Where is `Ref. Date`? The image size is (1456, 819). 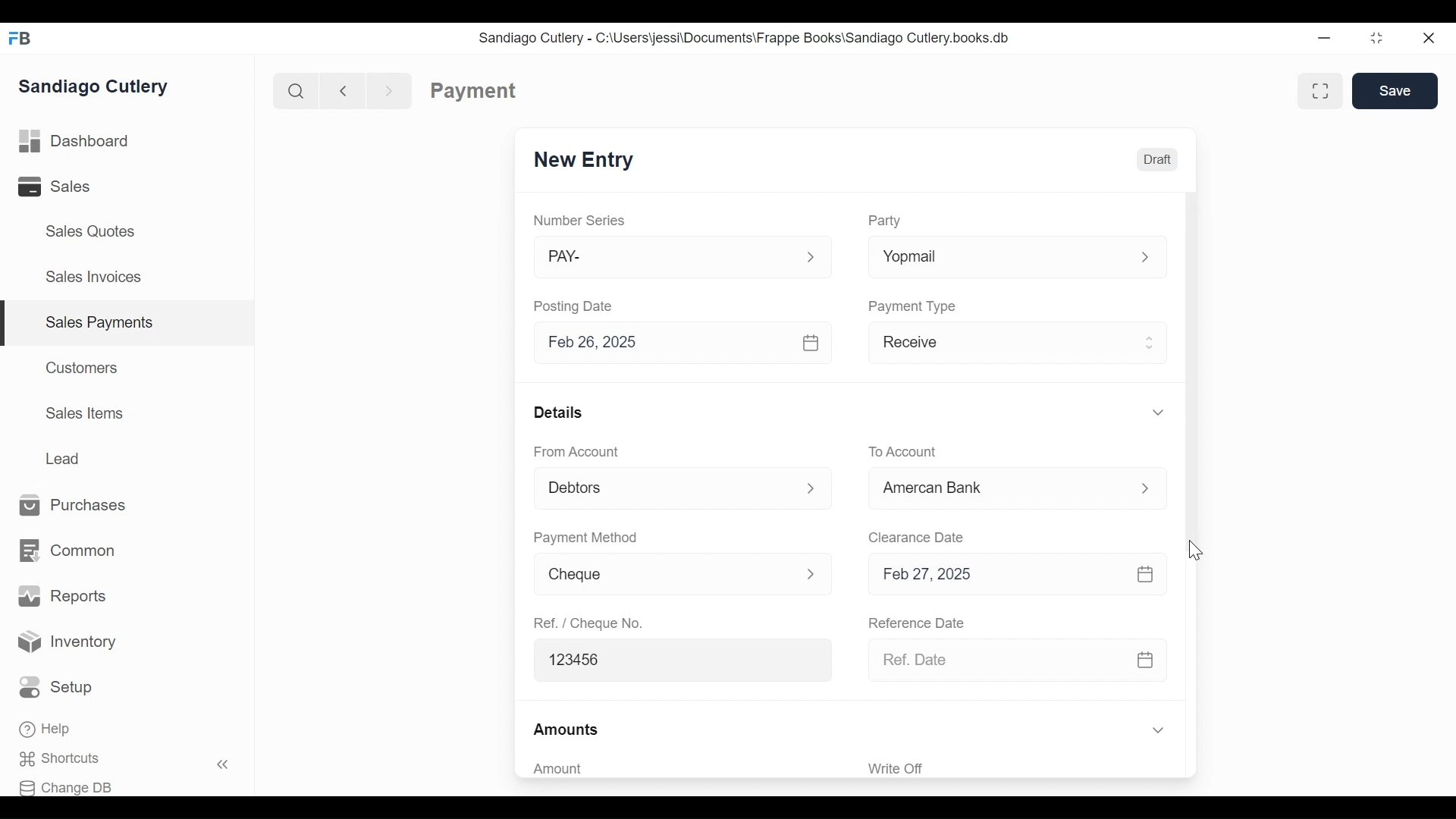
Ref. Date is located at coordinates (996, 660).